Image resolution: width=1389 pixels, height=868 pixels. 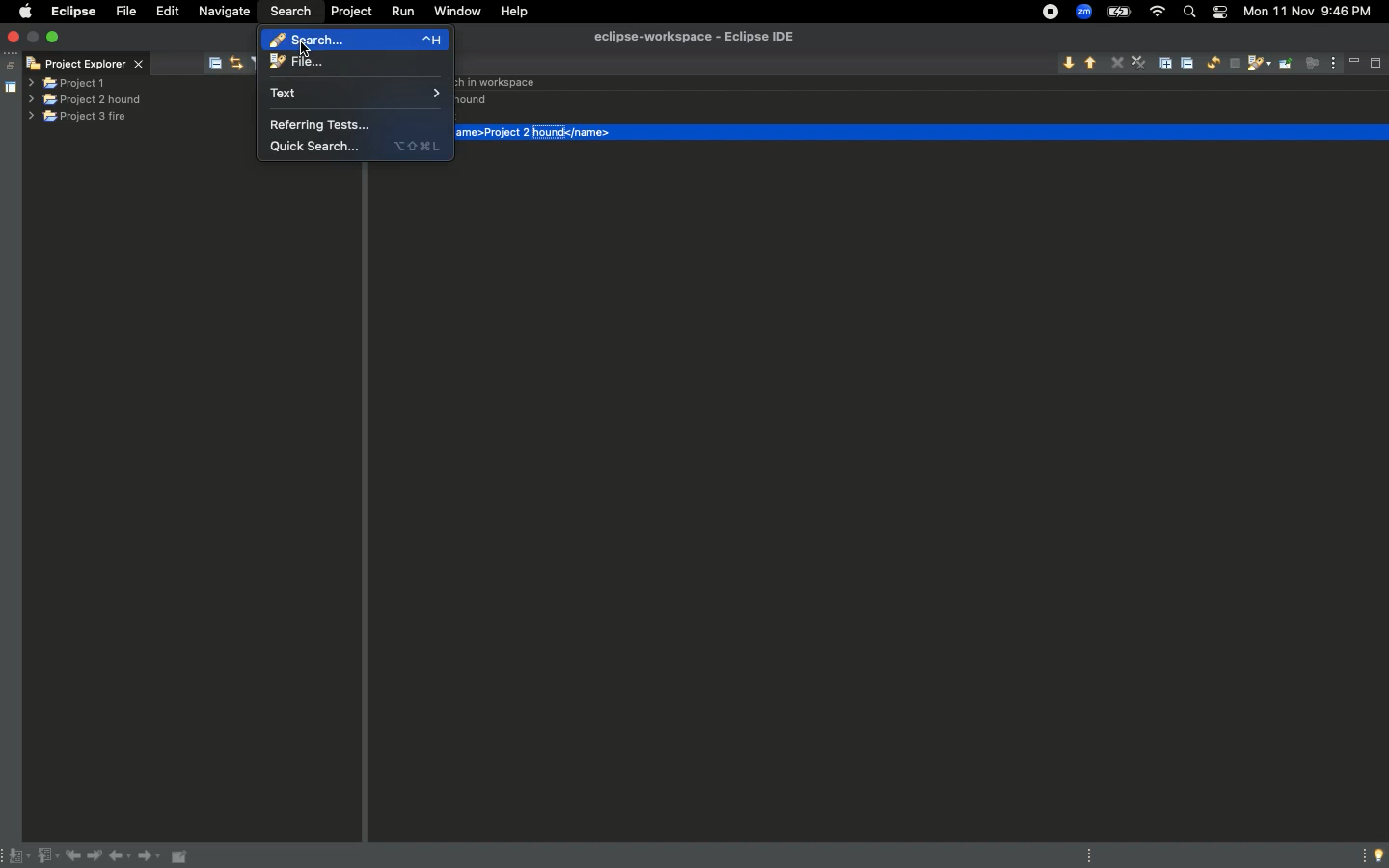 What do you see at coordinates (26, 11) in the screenshot?
I see `Apple logo` at bounding box center [26, 11].